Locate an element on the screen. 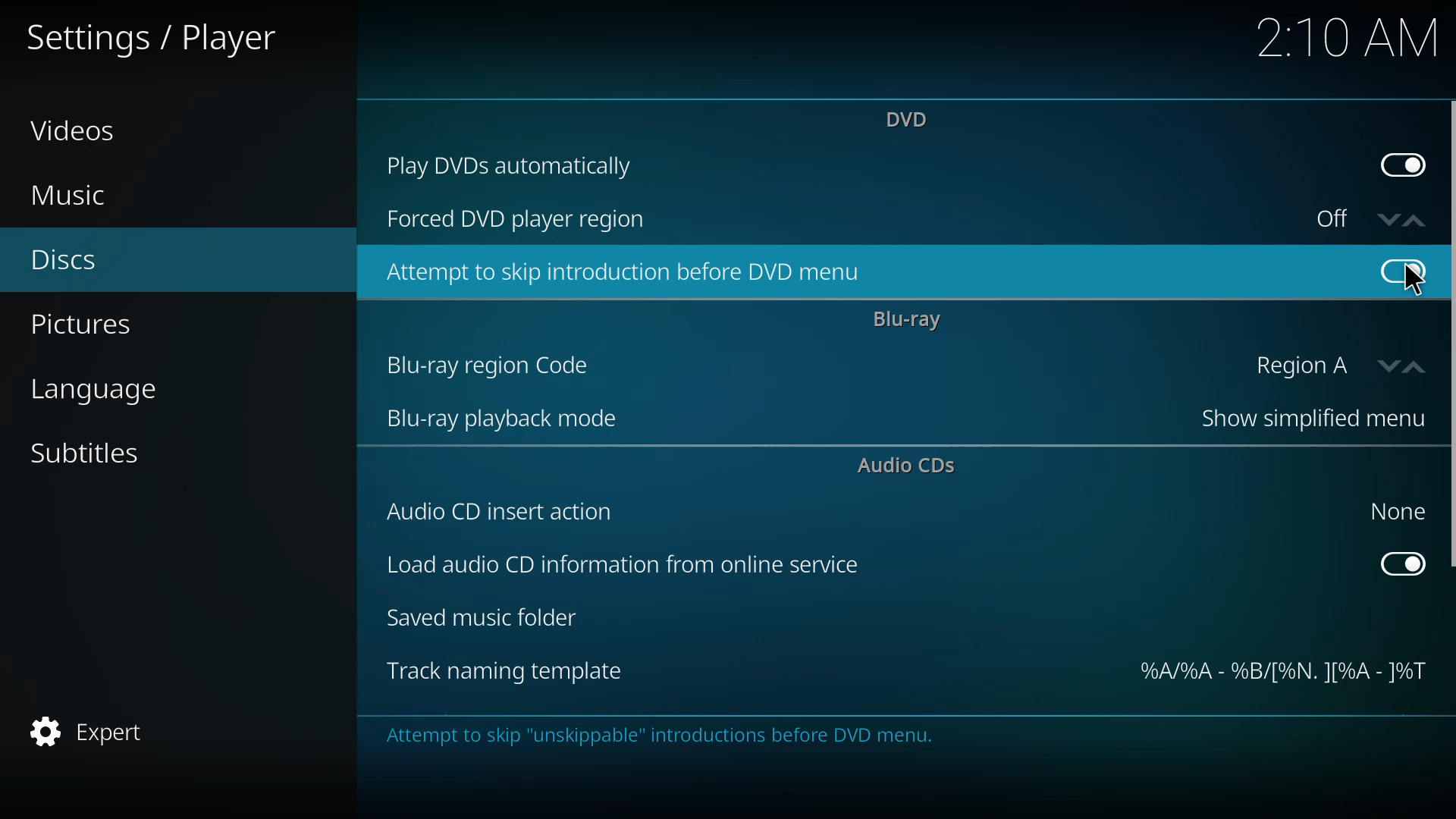 The image size is (1456, 819). expert is located at coordinates (97, 733).